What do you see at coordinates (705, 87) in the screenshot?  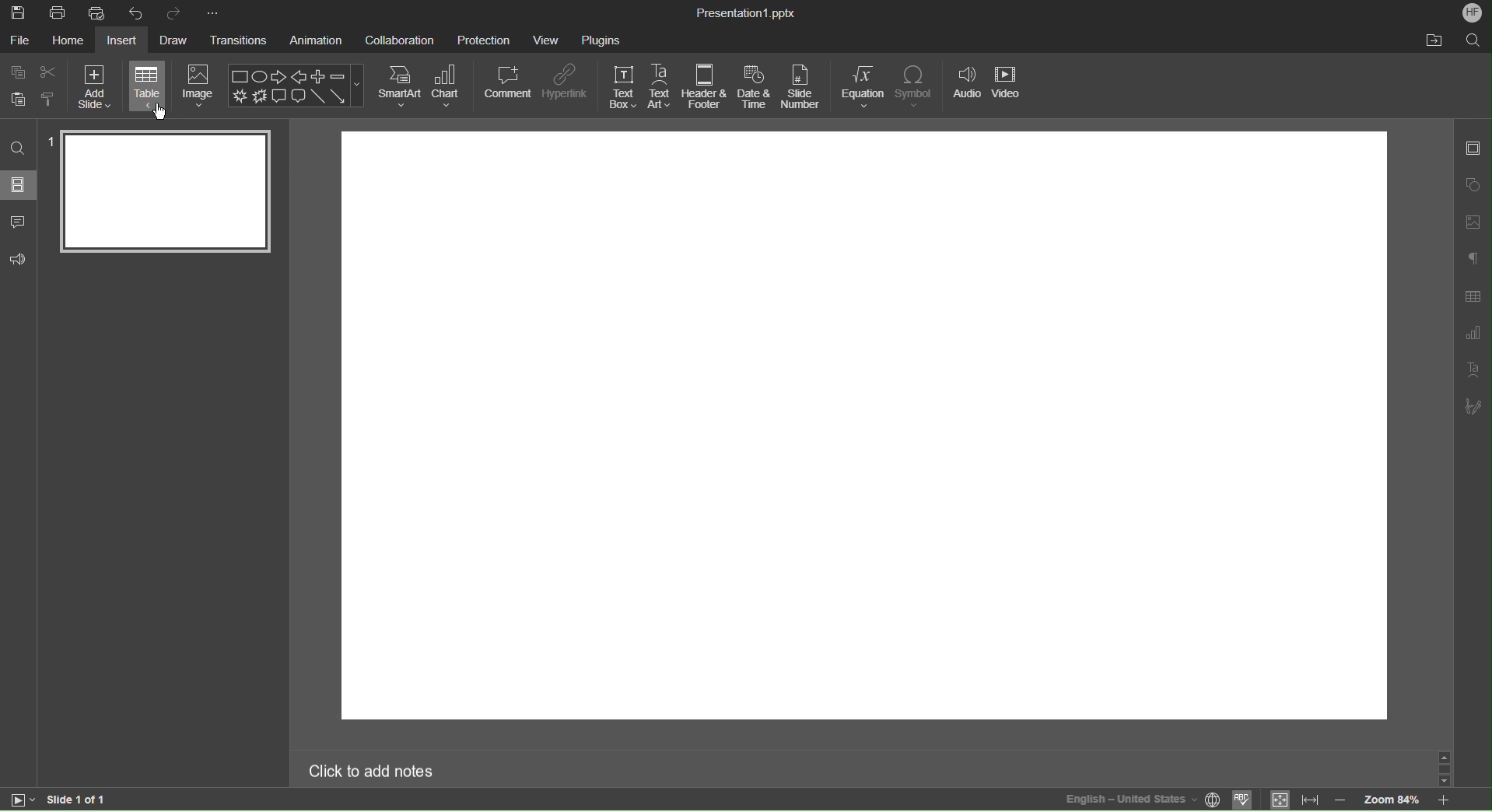 I see `Header & Footer` at bounding box center [705, 87].